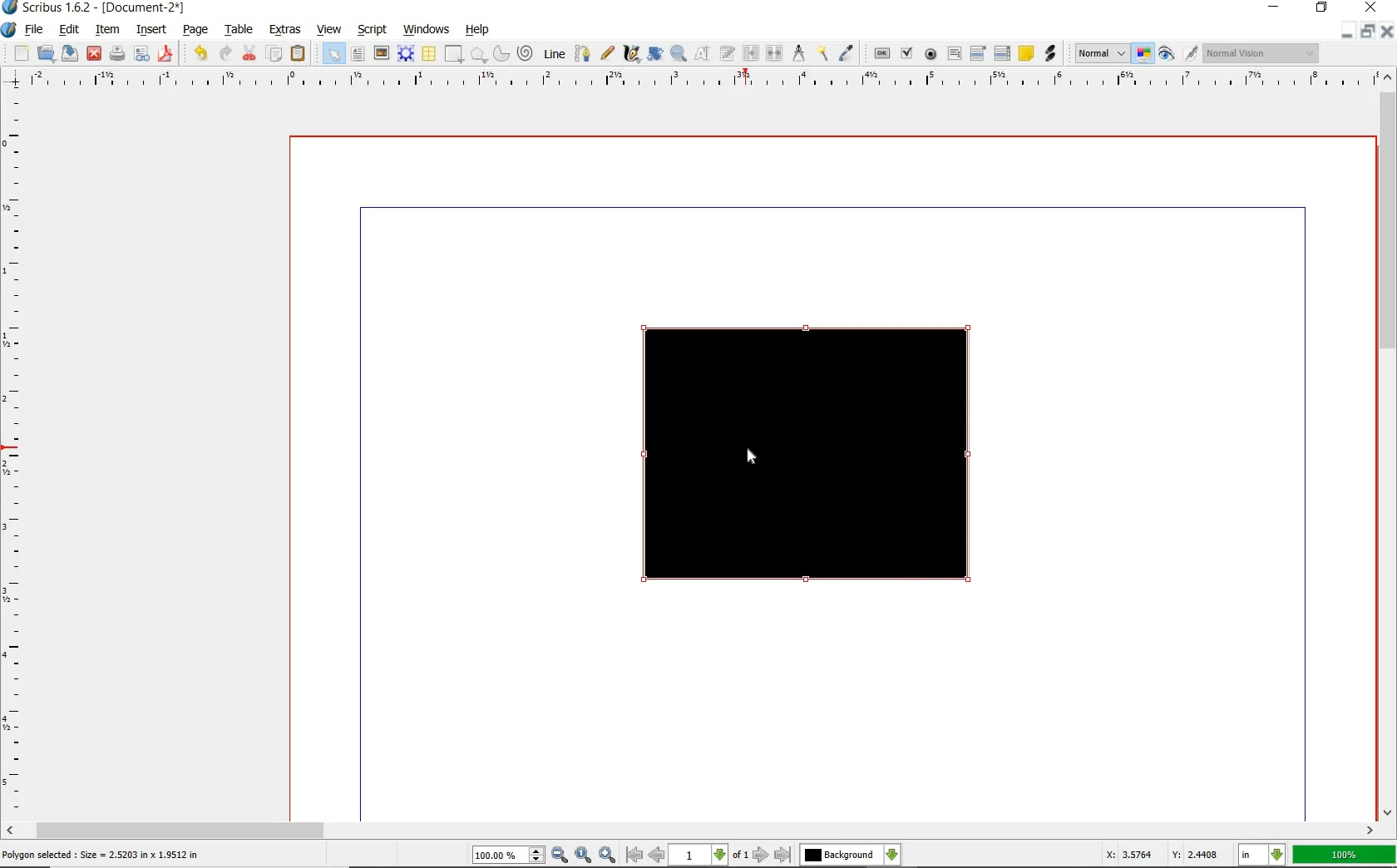  Describe the element at coordinates (299, 55) in the screenshot. I see `paste` at that location.